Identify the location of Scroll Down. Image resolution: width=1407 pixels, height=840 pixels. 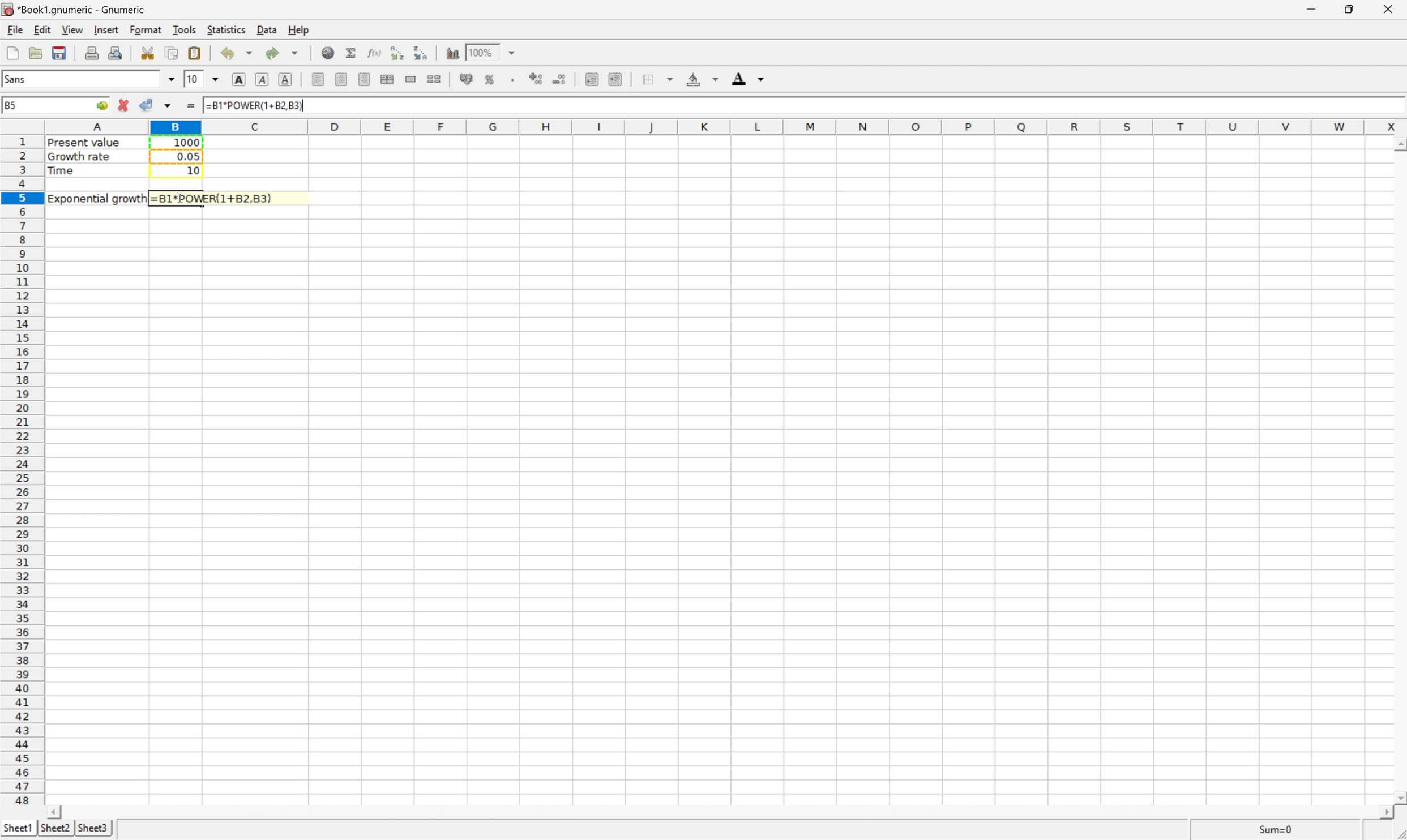
(1398, 796).